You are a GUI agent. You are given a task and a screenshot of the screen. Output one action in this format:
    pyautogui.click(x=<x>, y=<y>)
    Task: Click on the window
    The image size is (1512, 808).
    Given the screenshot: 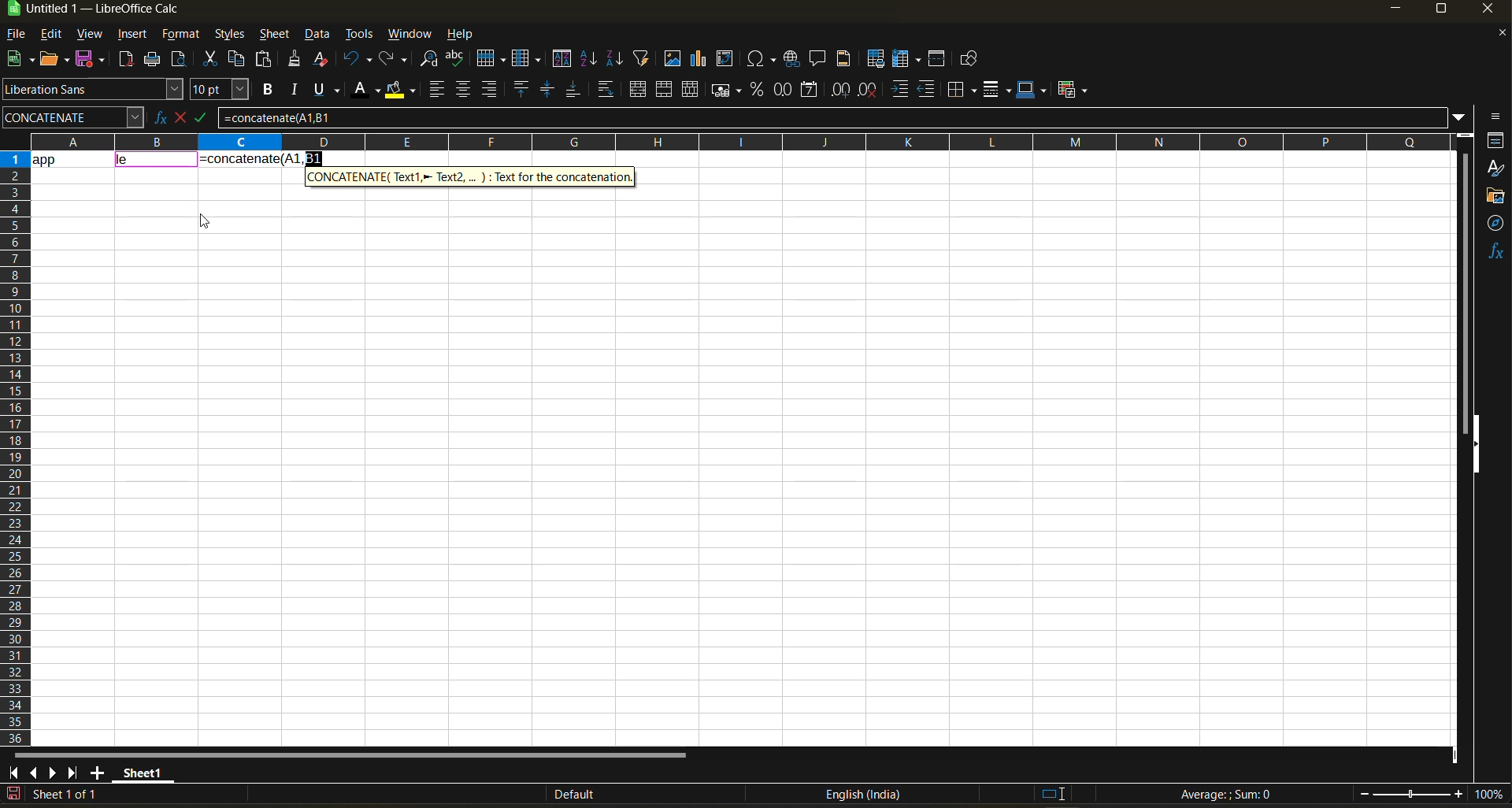 What is the action you would take?
    pyautogui.click(x=411, y=34)
    